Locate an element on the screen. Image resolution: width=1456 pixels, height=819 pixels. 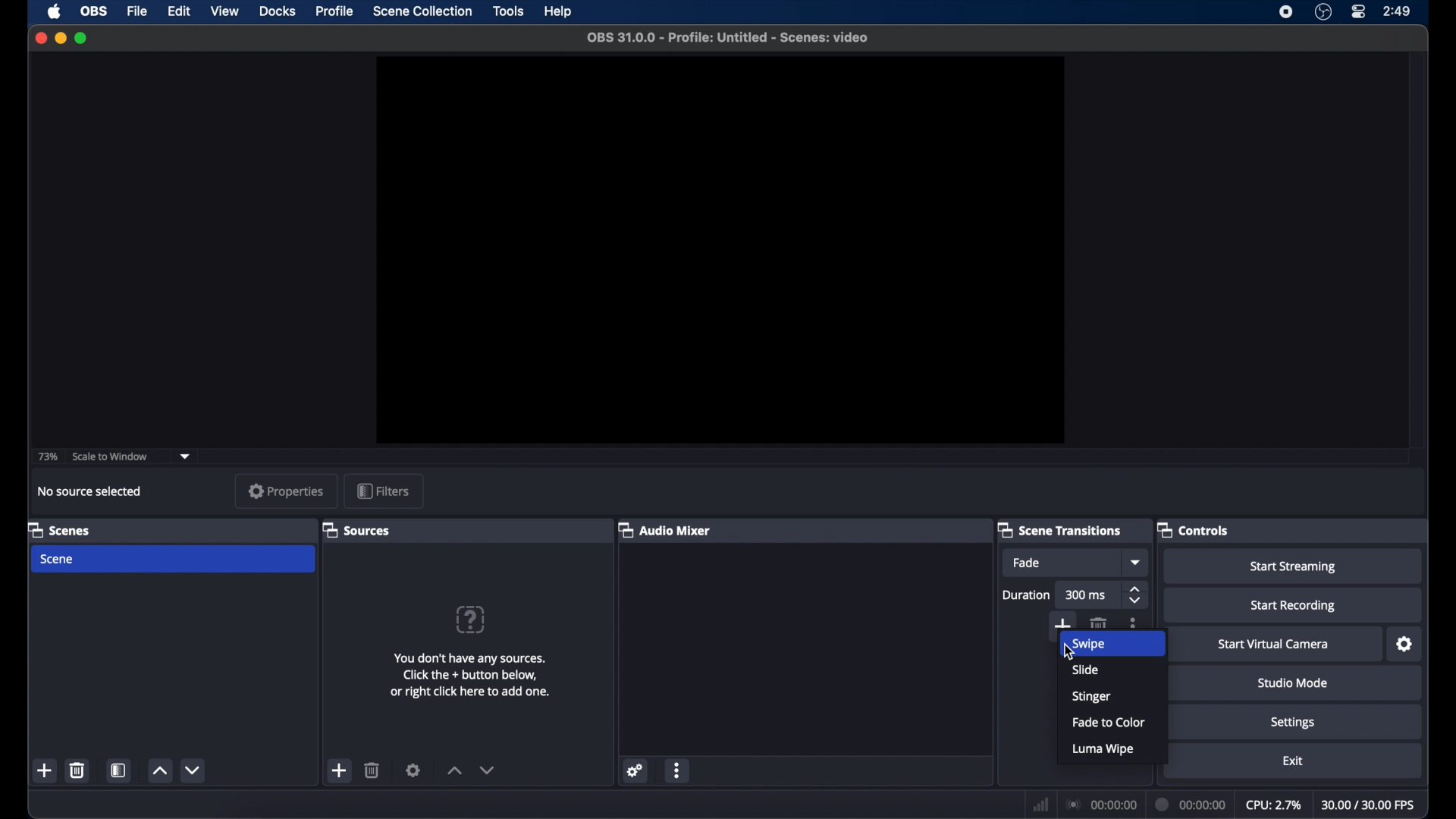
scene transitions is located at coordinates (1060, 529).